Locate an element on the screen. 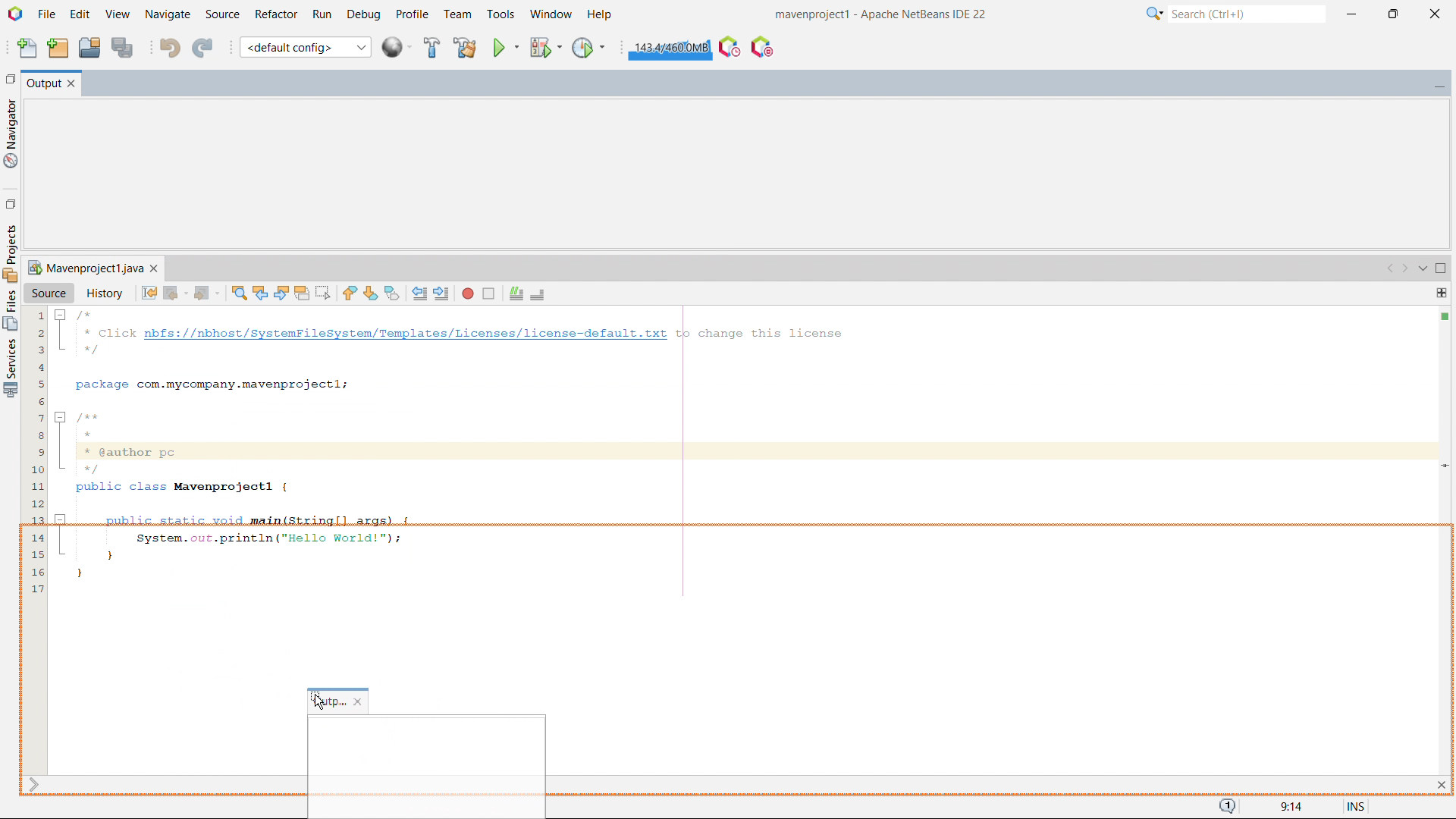 This screenshot has width=1456, height=819. find next occurance is located at coordinates (281, 292).